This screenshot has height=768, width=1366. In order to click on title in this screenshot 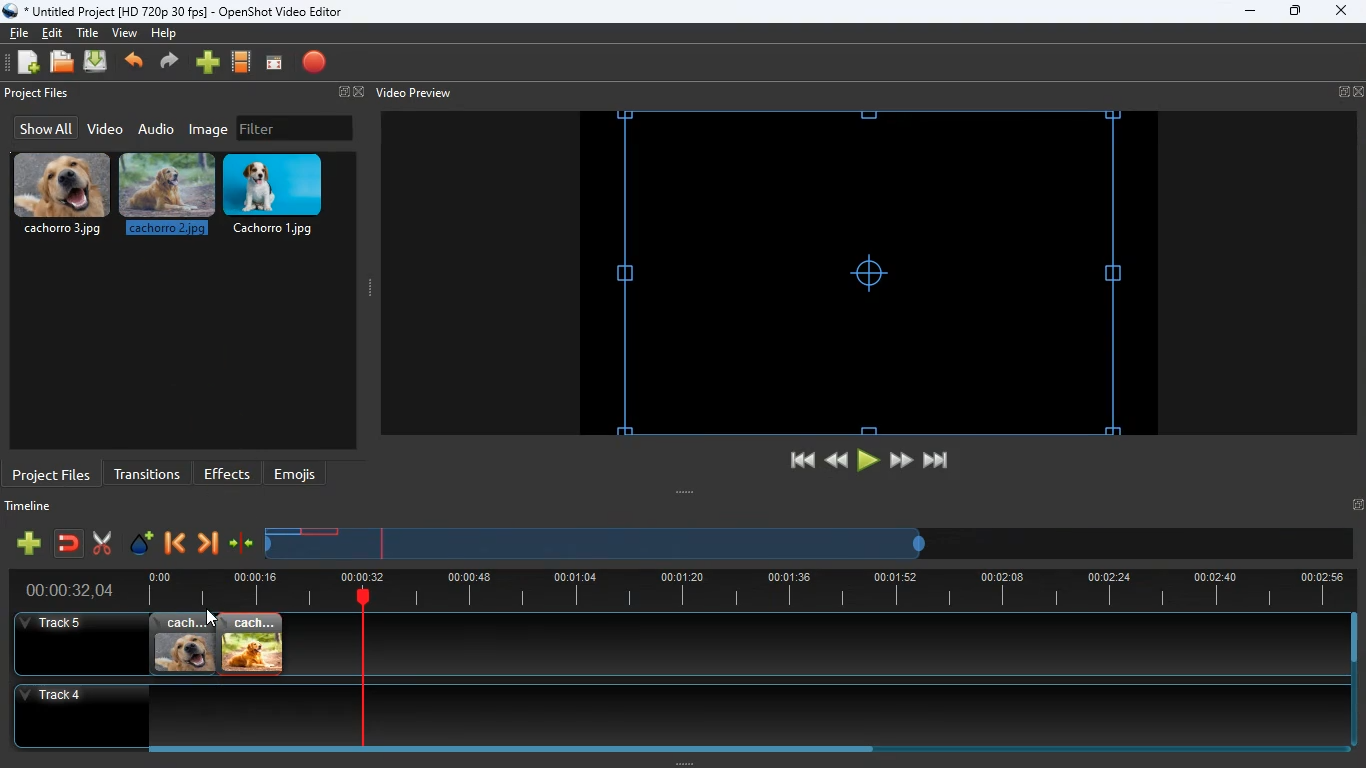, I will do `click(90, 32)`.